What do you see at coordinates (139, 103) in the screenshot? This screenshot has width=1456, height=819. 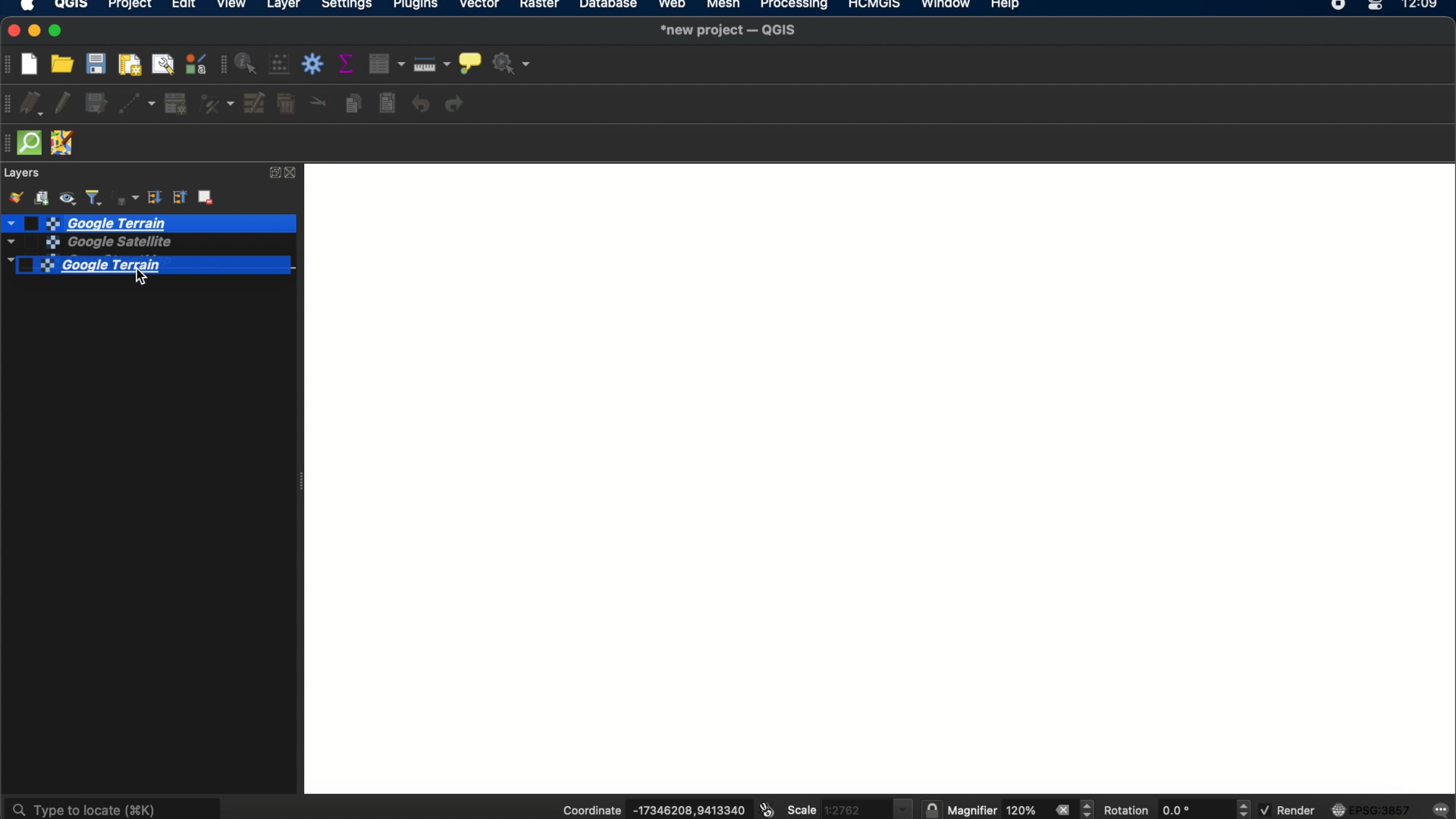 I see `digitize with segment` at bounding box center [139, 103].